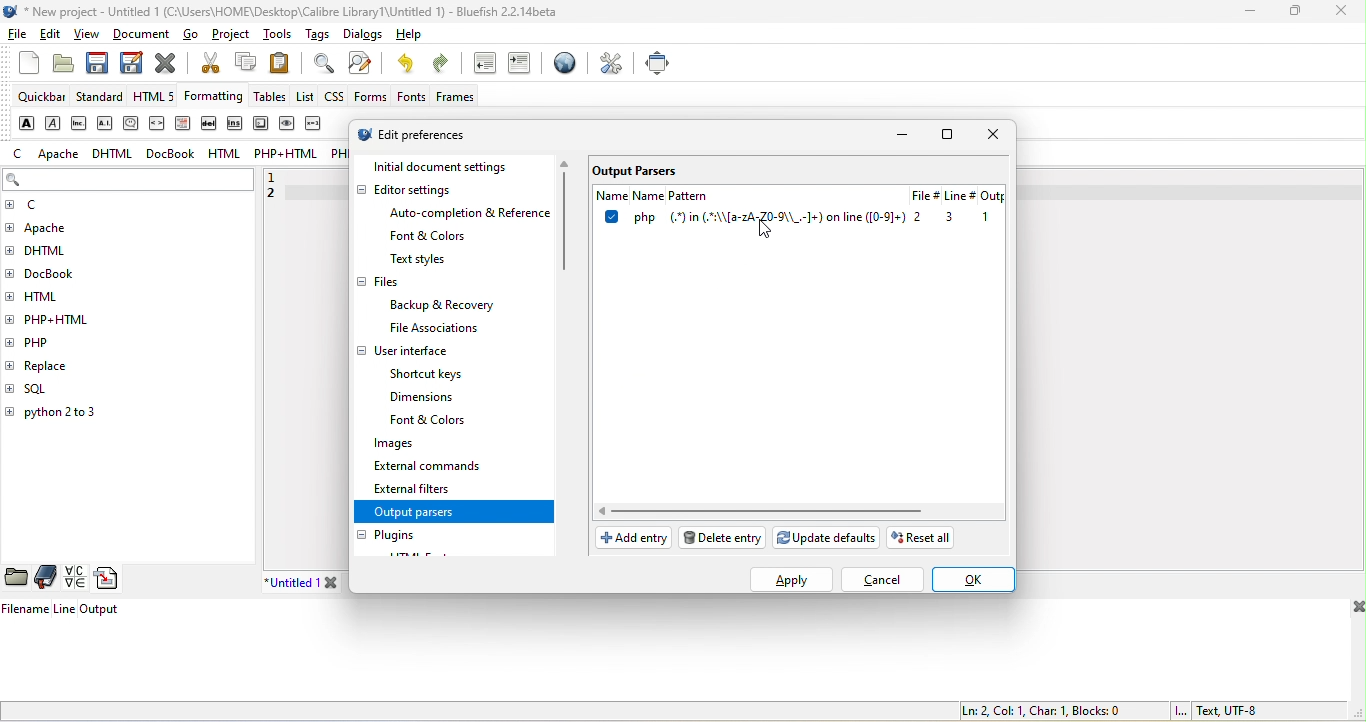  What do you see at coordinates (60, 276) in the screenshot?
I see `docbook` at bounding box center [60, 276].